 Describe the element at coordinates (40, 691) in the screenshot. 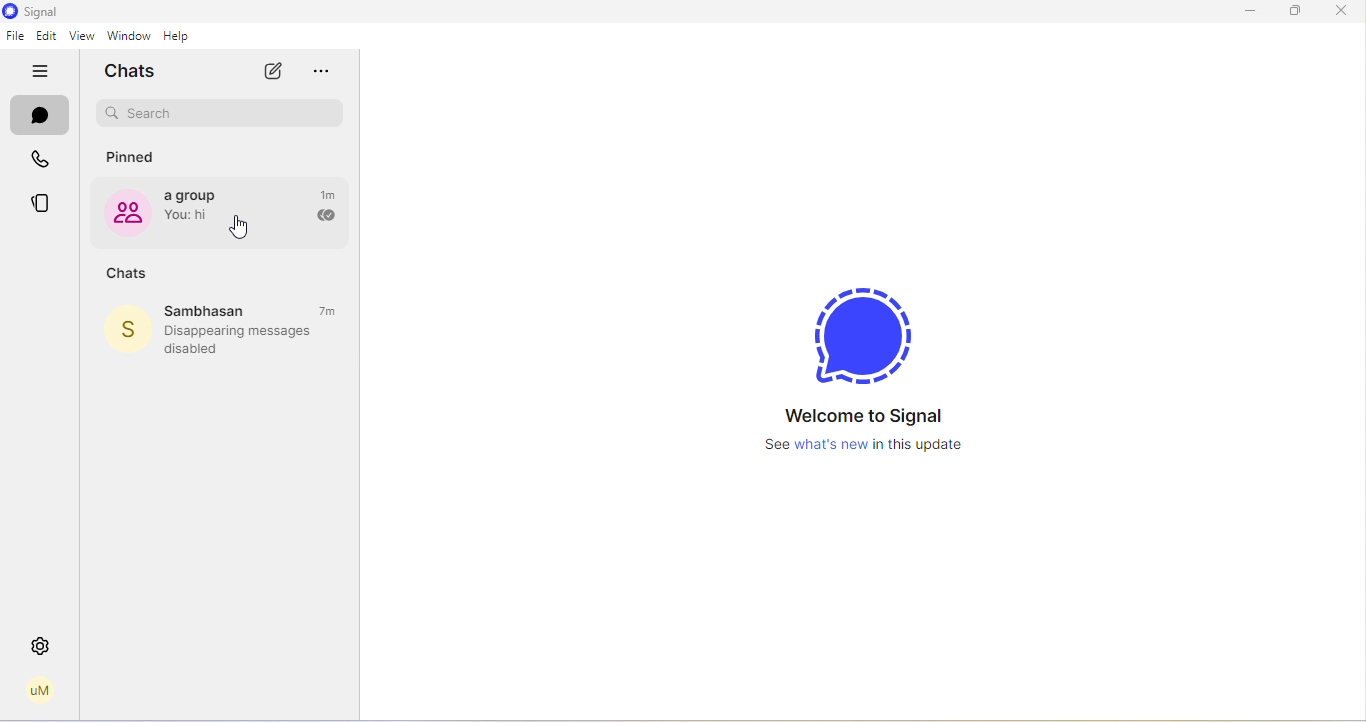

I see `profile` at that location.